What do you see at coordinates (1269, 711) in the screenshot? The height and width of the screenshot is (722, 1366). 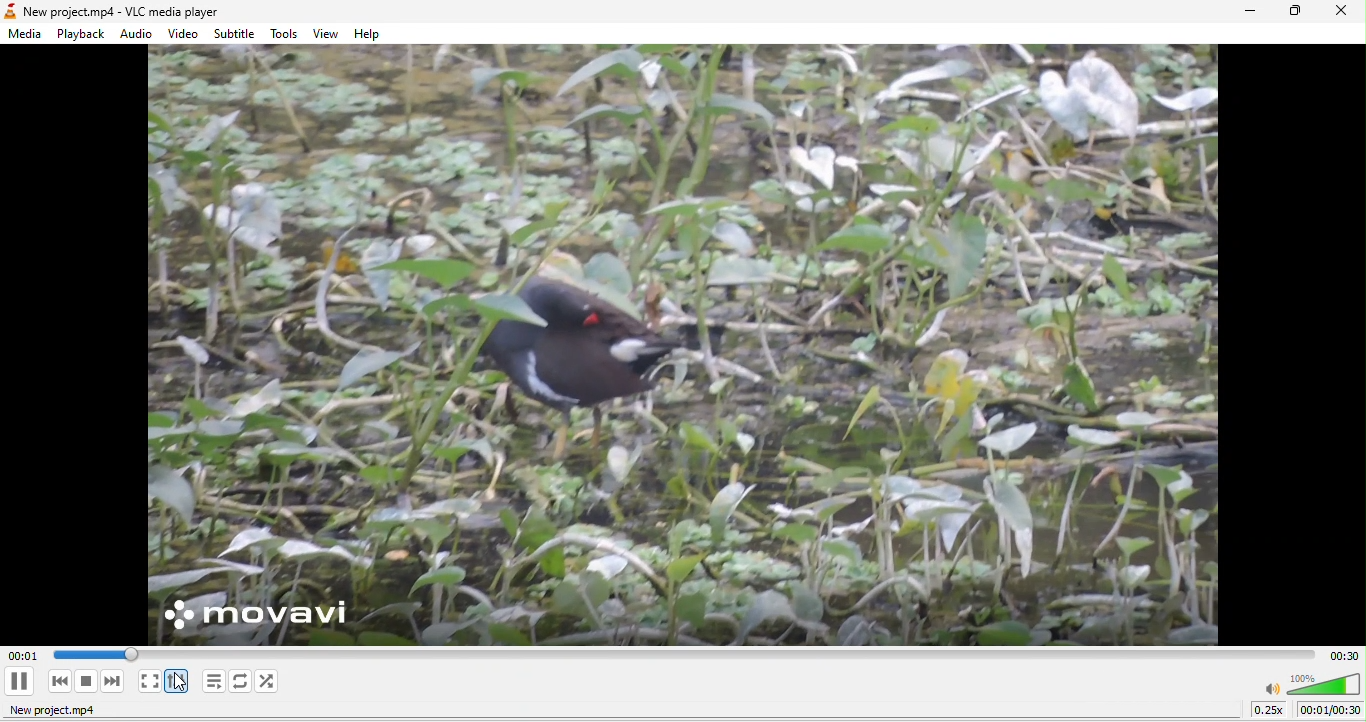 I see `0.25 x` at bounding box center [1269, 711].